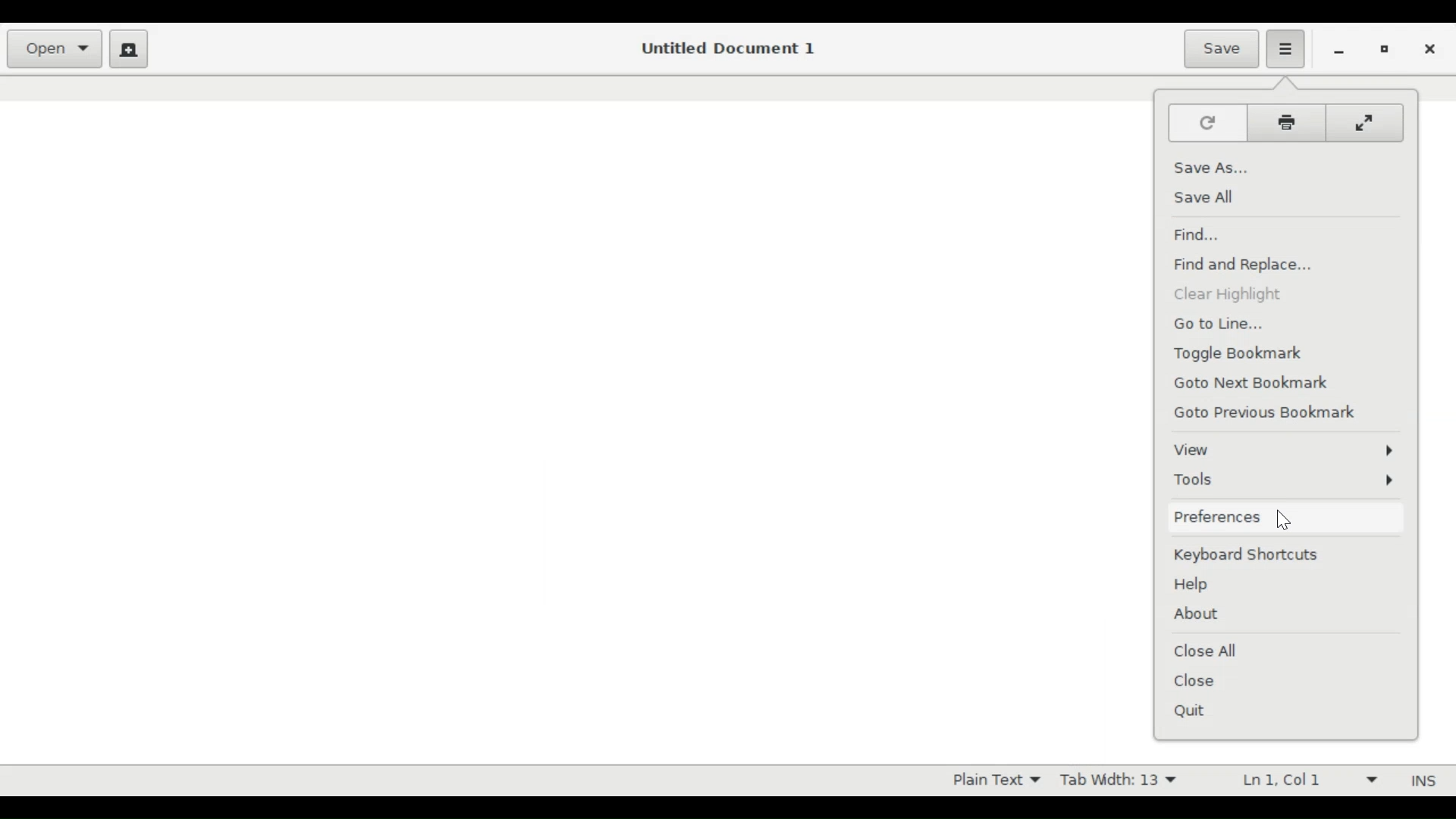 This screenshot has width=1456, height=819. What do you see at coordinates (54, 47) in the screenshot?
I see `Open` at bounding box center [54, 47].